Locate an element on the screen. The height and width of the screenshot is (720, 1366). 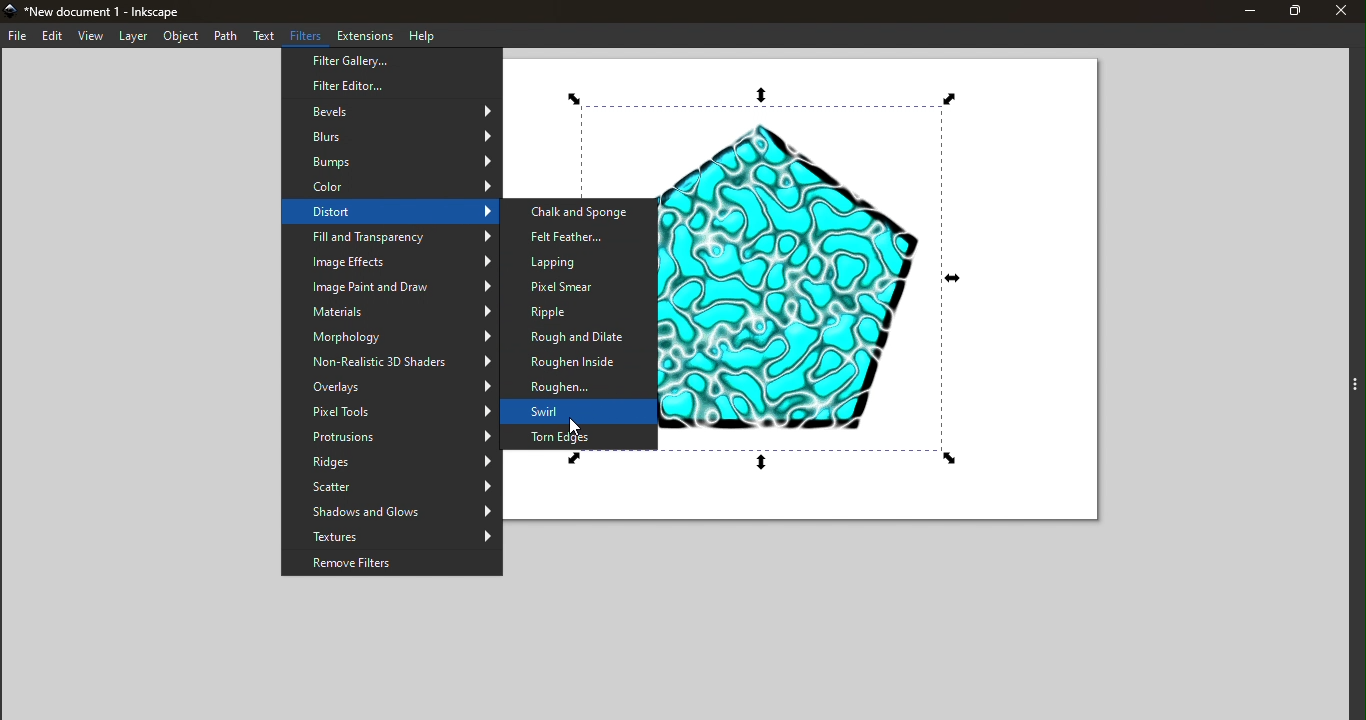
cursor is located at coordinates (576, 427).